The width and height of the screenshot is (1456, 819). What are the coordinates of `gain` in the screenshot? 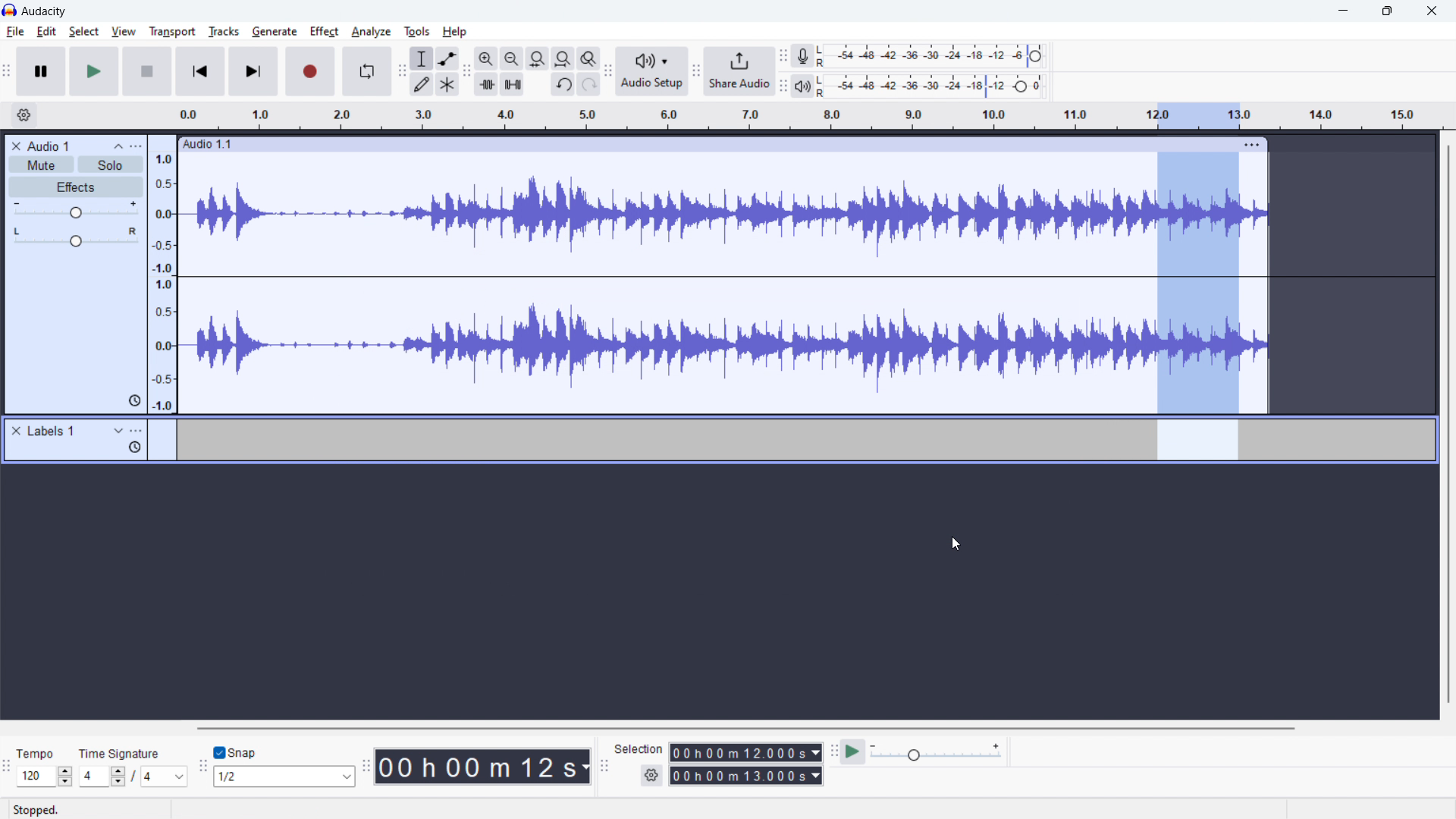 It's located at (76, 210).